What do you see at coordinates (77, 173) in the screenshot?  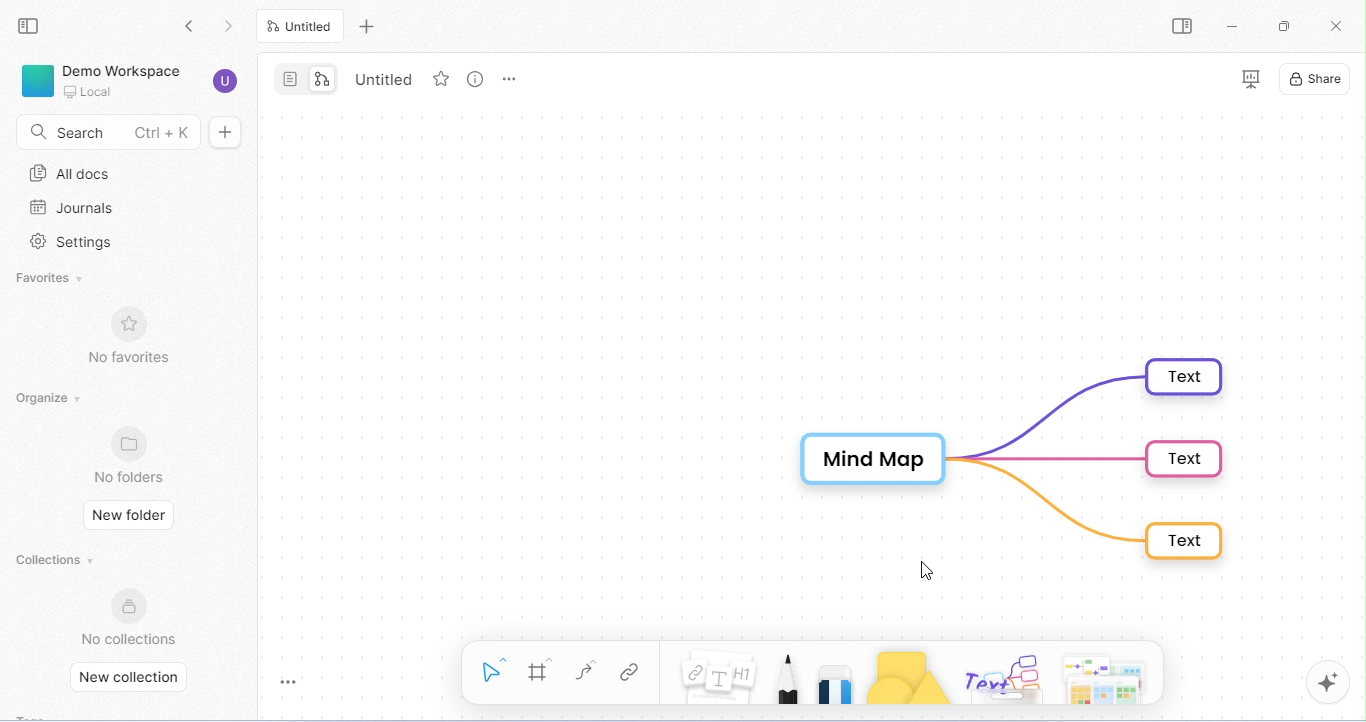 I see `all docs` at bounding box center [77, 173].